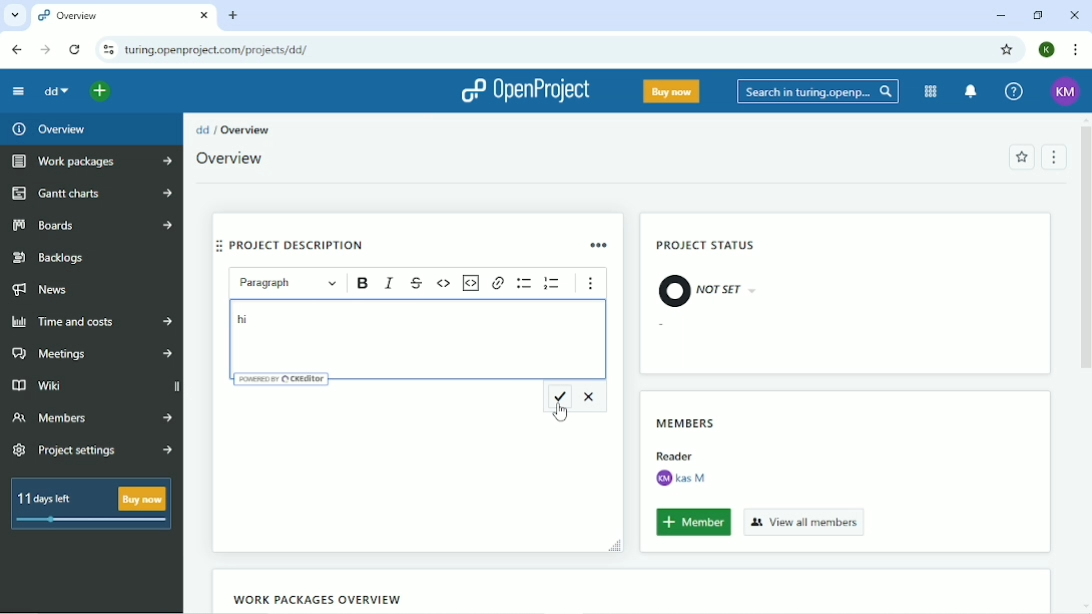 This screenshot has height=614, width=1092. What do you see at coordinates (59, 93) in the screenshot?
I see `dd` at bounding box center [59, 93].